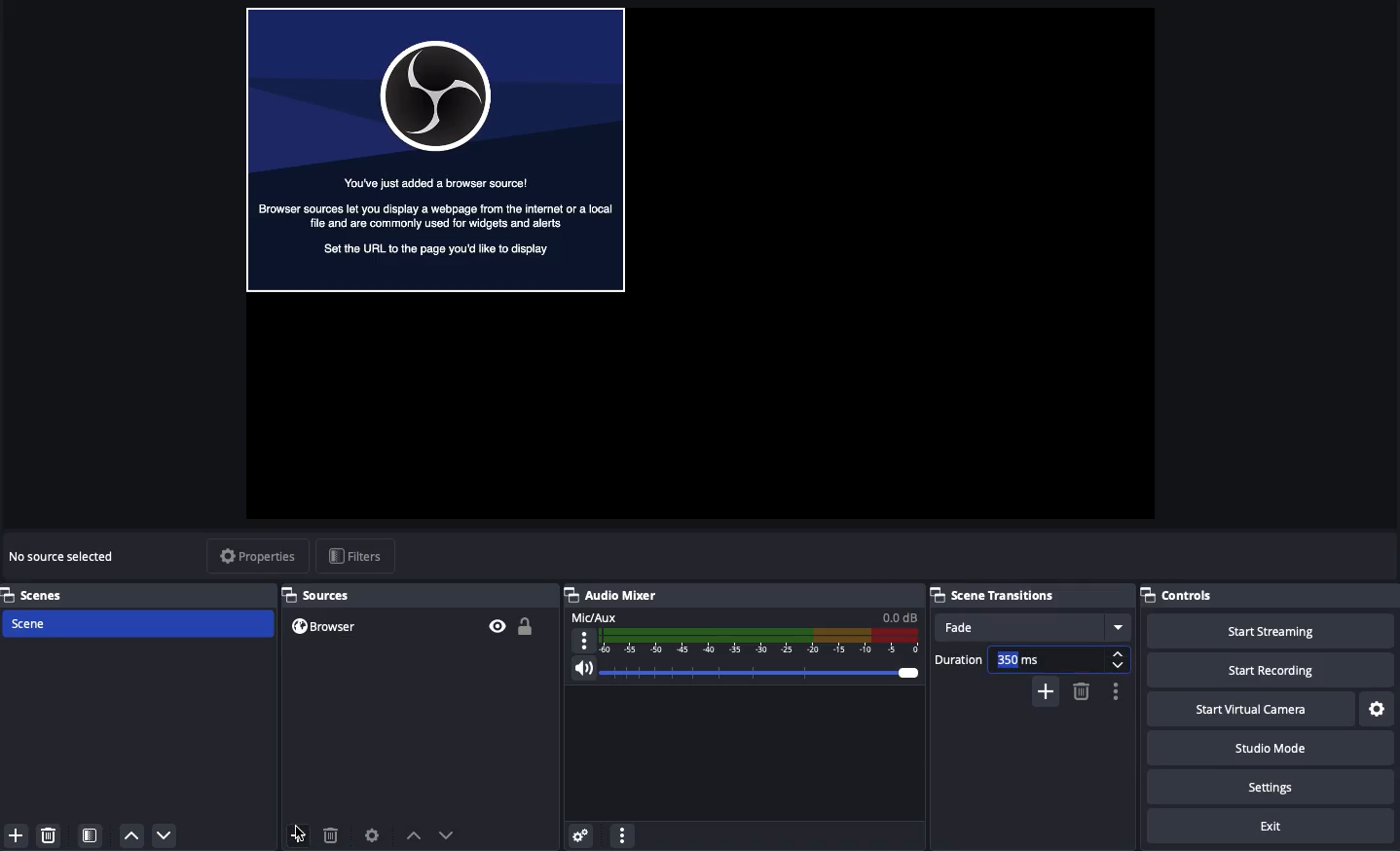 This screenshot has height=851, width=1400. What do you see at coordinates (1268, 670) in the screenshot?
I see `Start recording` at bounding box center [1268, 670].